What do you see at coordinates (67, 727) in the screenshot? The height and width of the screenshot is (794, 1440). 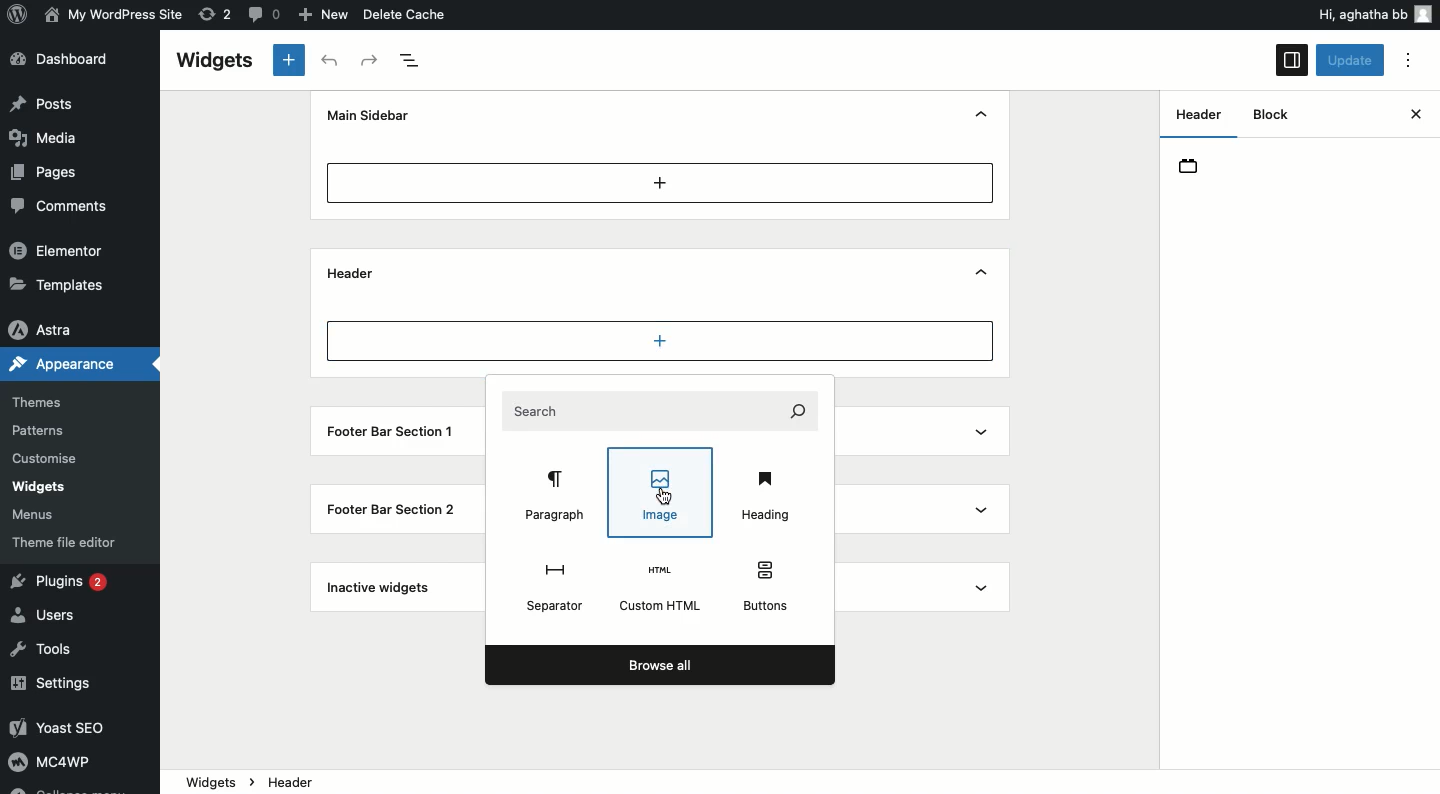 I see `Yoast SEO` at bounding box center [67, 727].